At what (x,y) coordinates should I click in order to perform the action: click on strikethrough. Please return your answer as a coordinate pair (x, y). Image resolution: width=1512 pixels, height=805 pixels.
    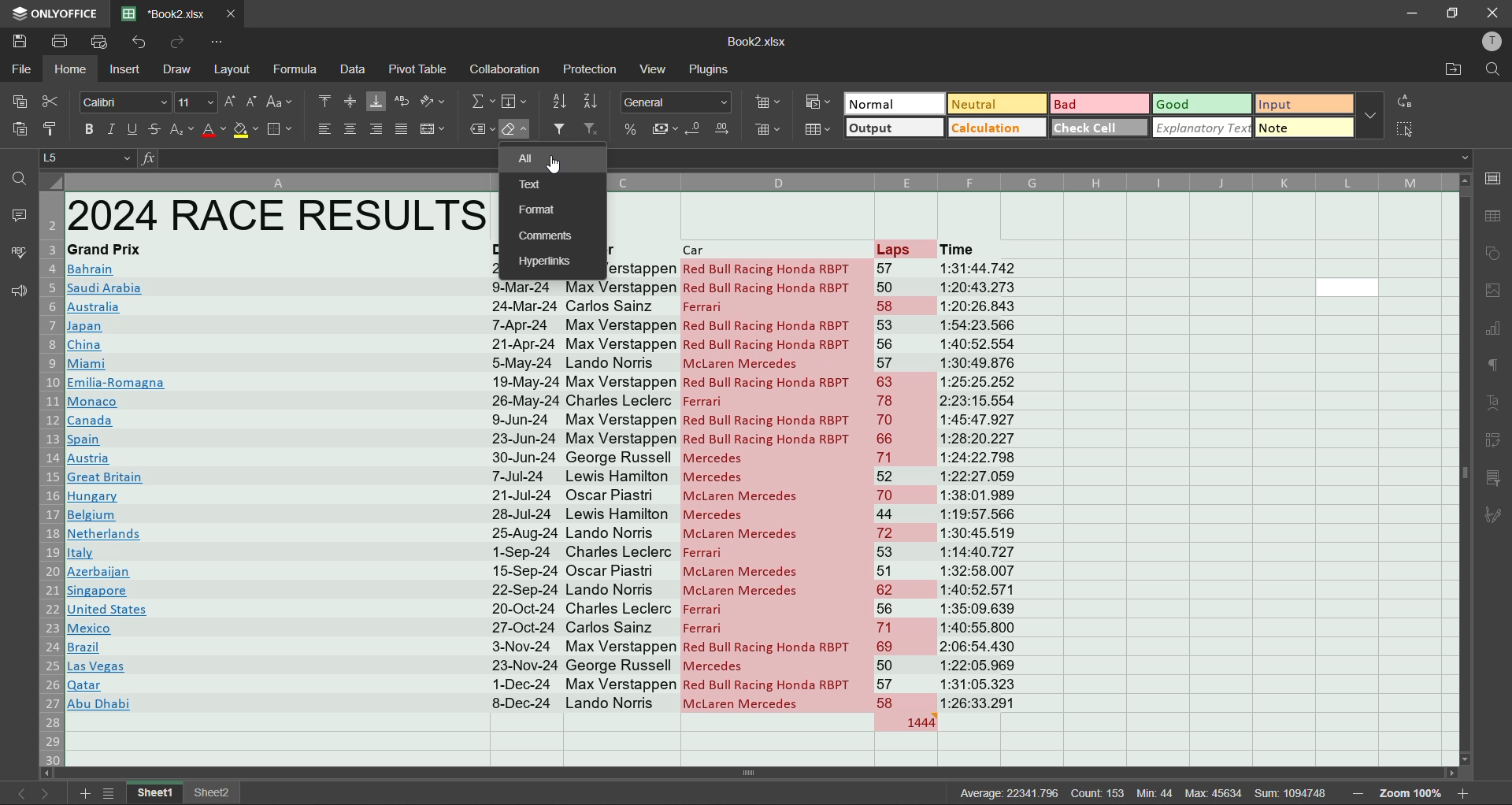
    Looking at the image, I should click on (154, 130).